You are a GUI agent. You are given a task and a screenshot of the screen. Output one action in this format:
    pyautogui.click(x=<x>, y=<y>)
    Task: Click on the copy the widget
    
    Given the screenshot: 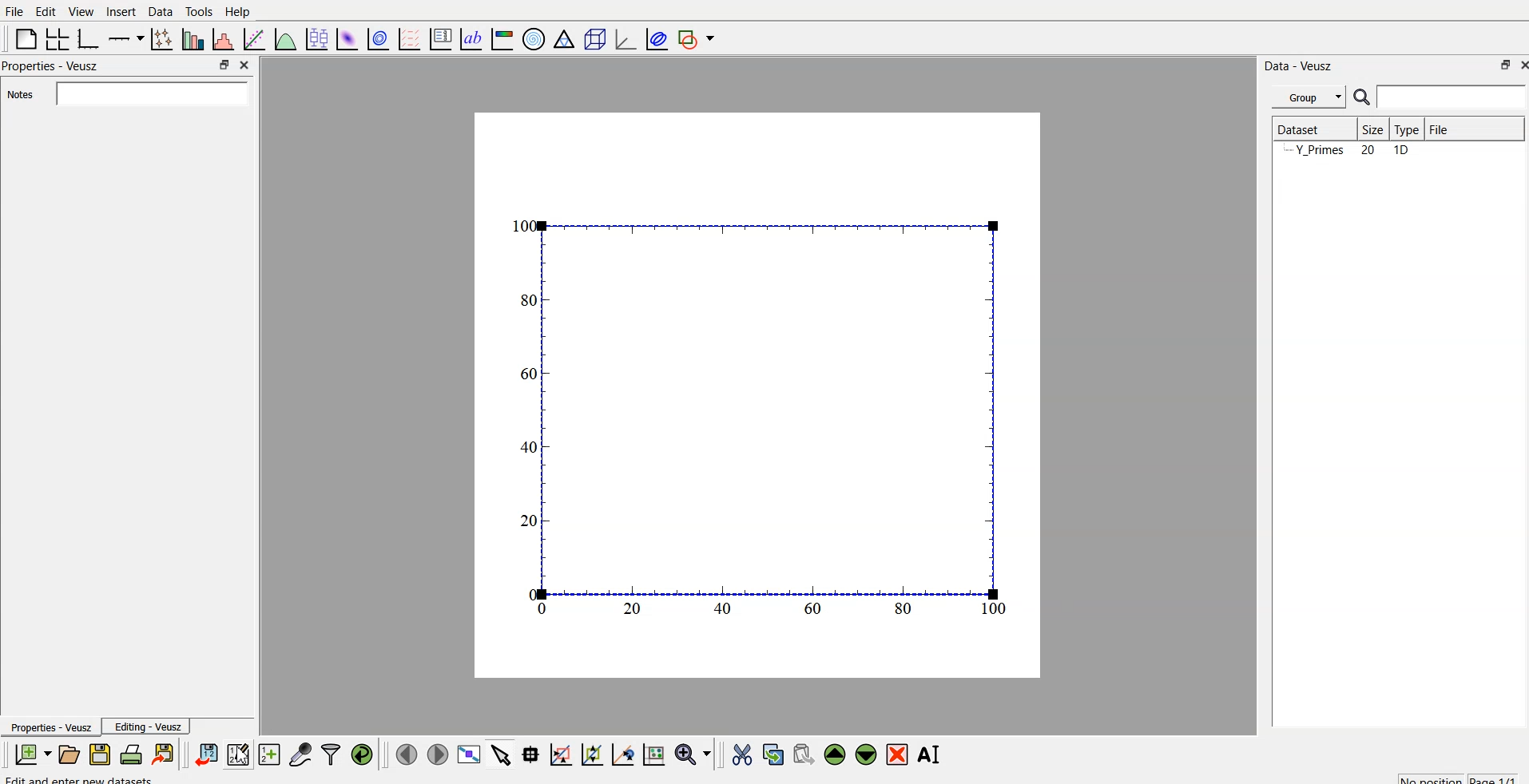 What is the action you would take?
    pyautogui.click(x=772, y=754)
    